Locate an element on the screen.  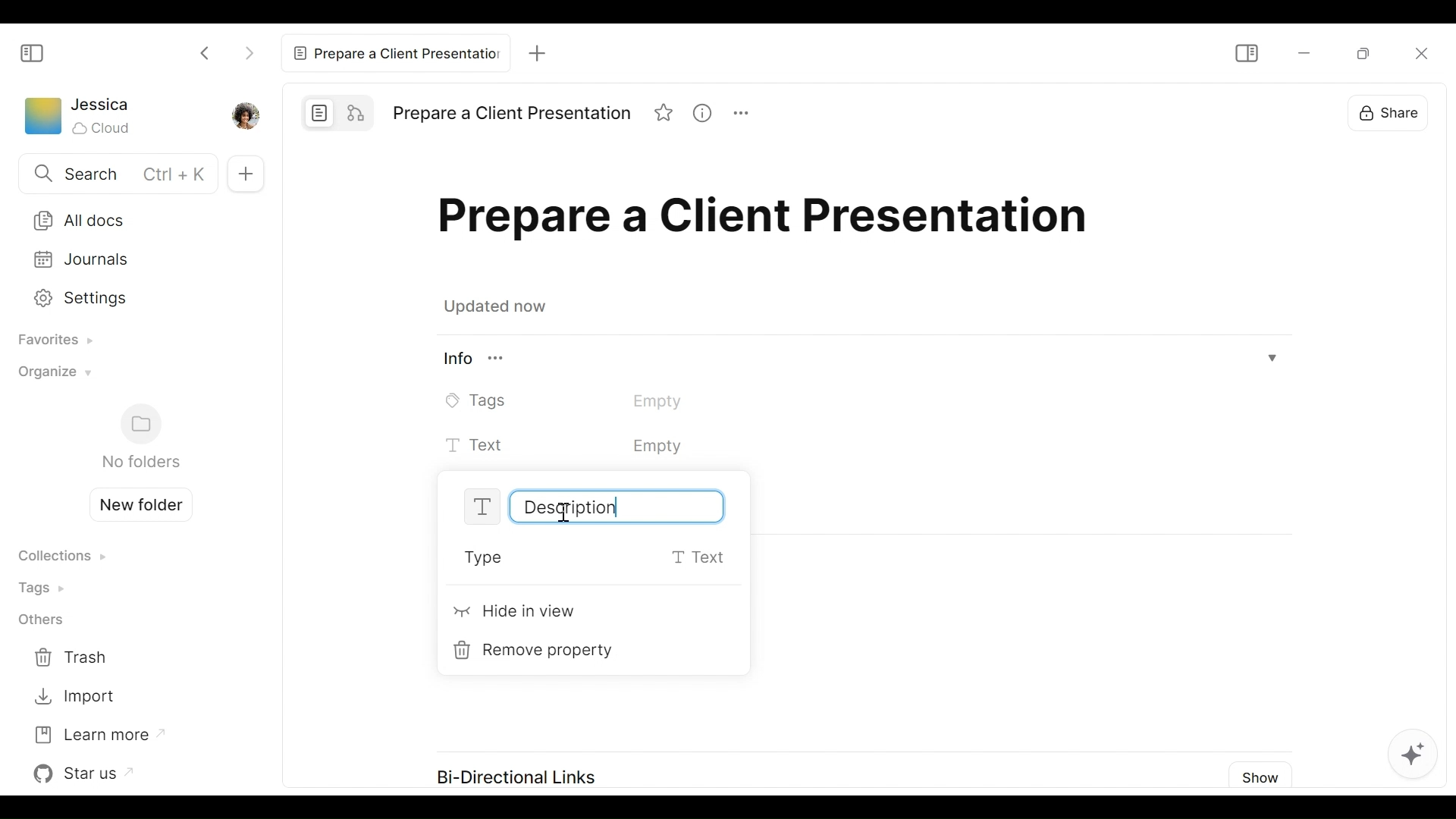
Share is located at coordinates (1400, 112).